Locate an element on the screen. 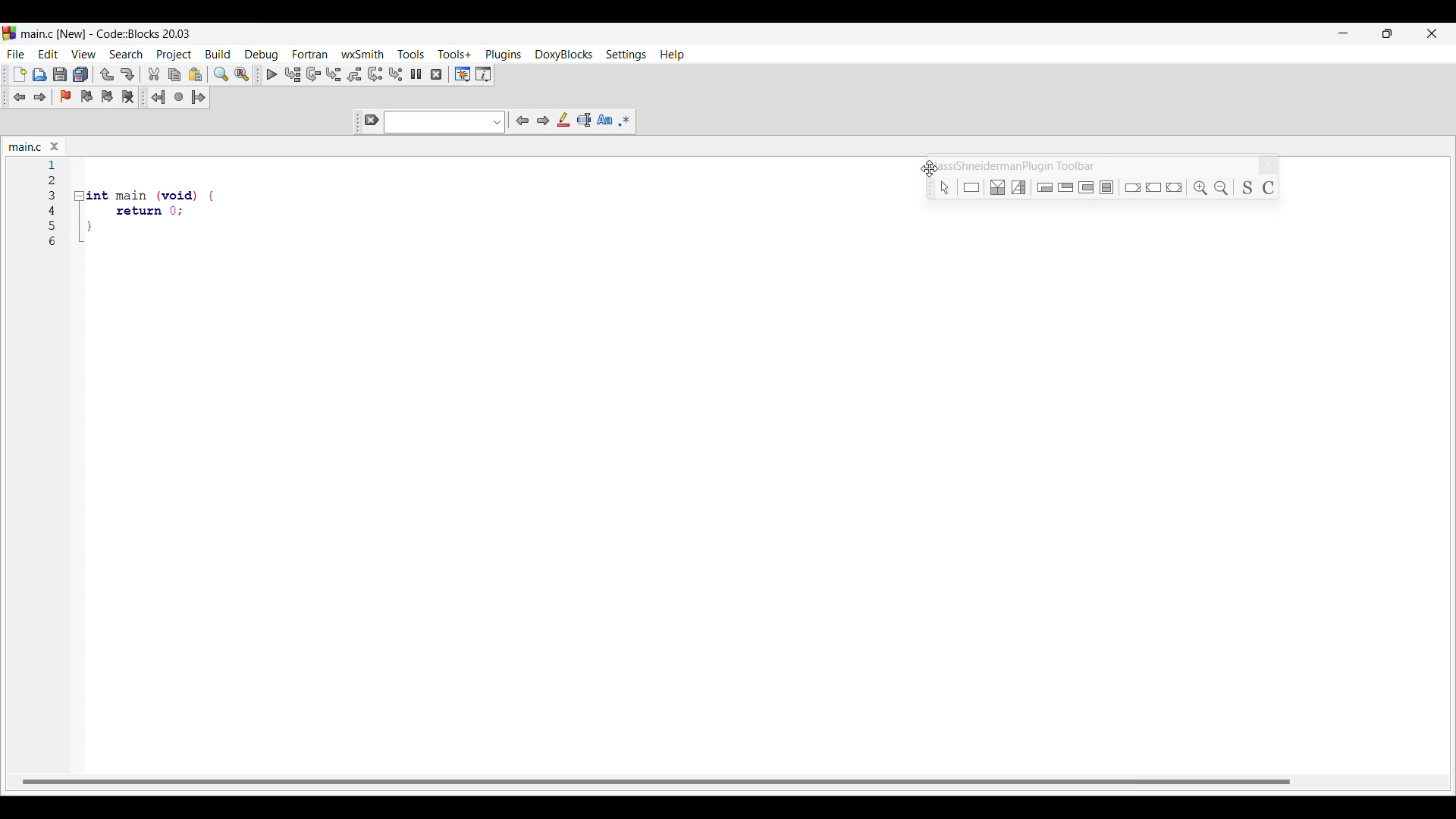 The height and width of the screenshot is (819, 1456).  is located at coordinates (130, 231).